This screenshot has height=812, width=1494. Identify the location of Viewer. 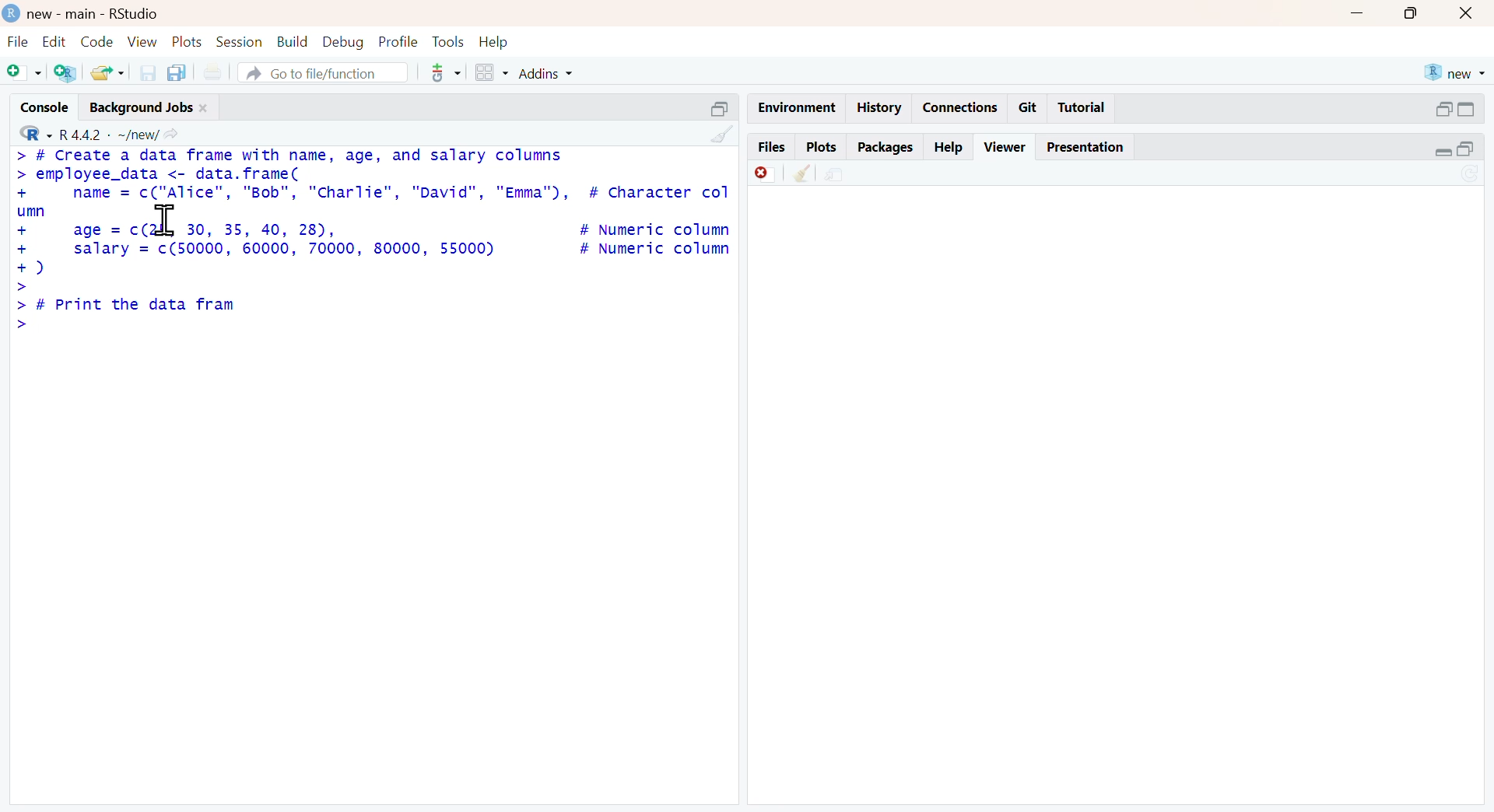
(1005, 146).